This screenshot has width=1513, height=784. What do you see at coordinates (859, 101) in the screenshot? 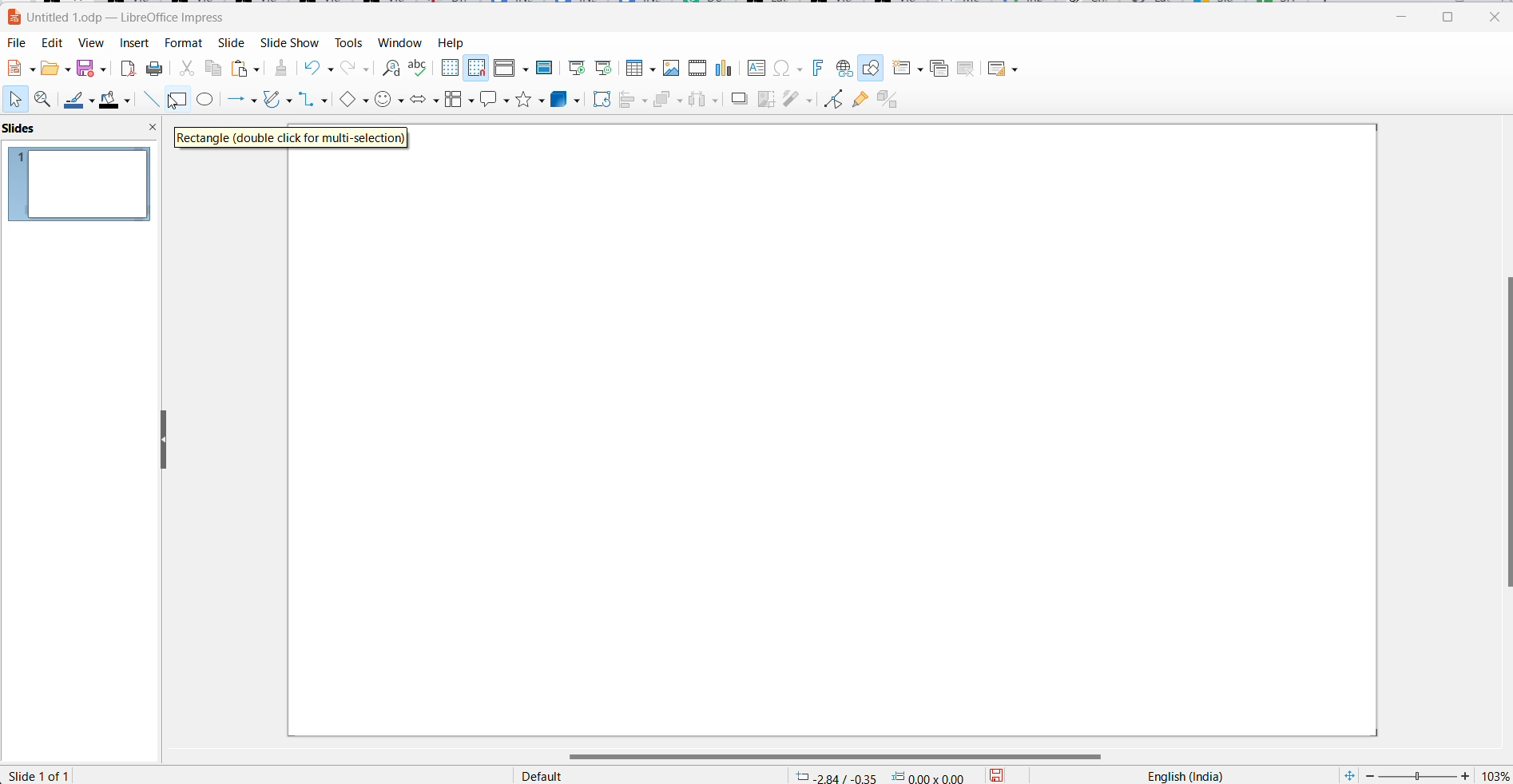
I see `show glue point function` at bounding box center [859, 101].